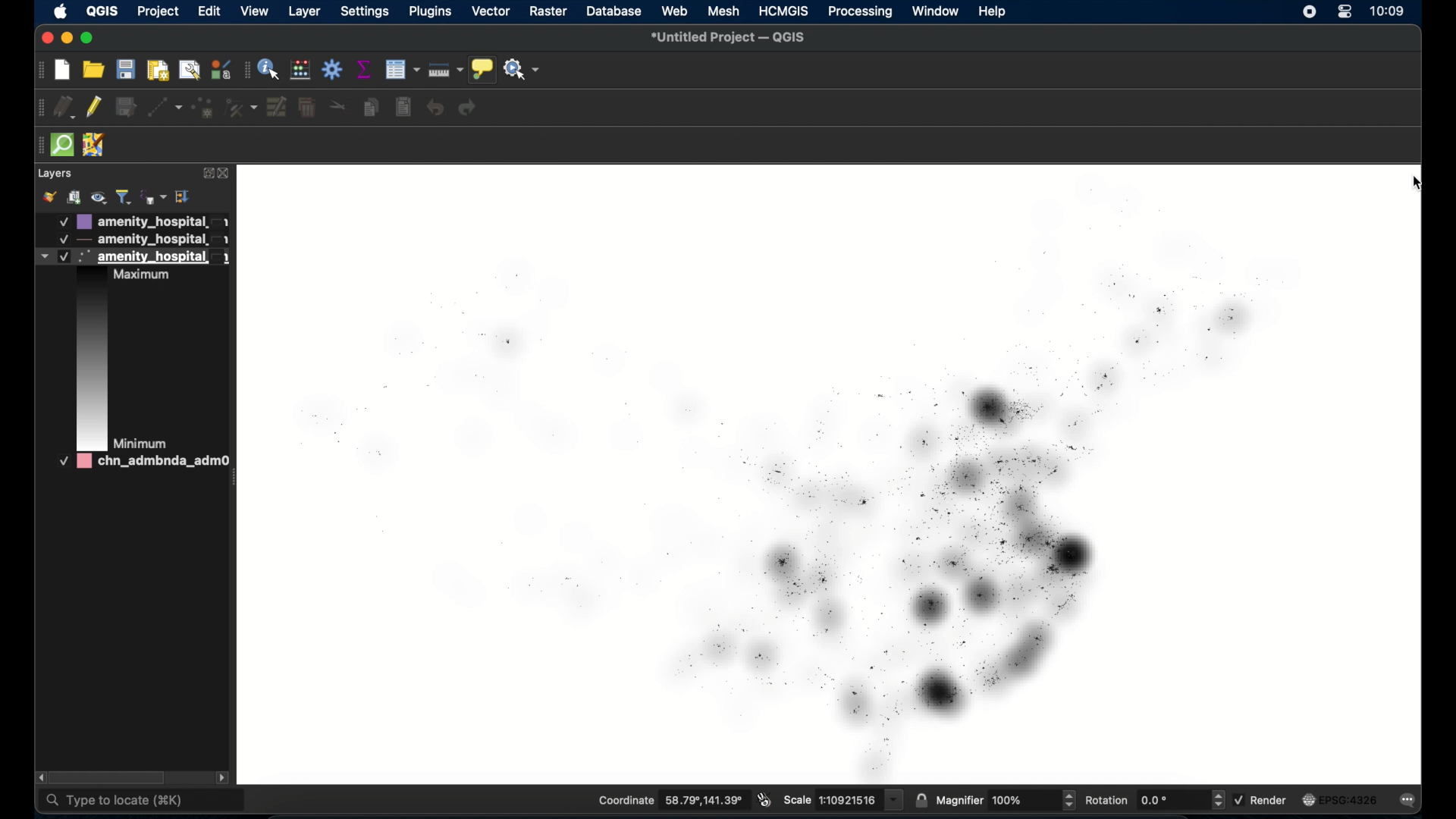  What do you see at coordinates (333, 69) in the screenshot?
I see `toolbox` at bounding box center [333, 69].